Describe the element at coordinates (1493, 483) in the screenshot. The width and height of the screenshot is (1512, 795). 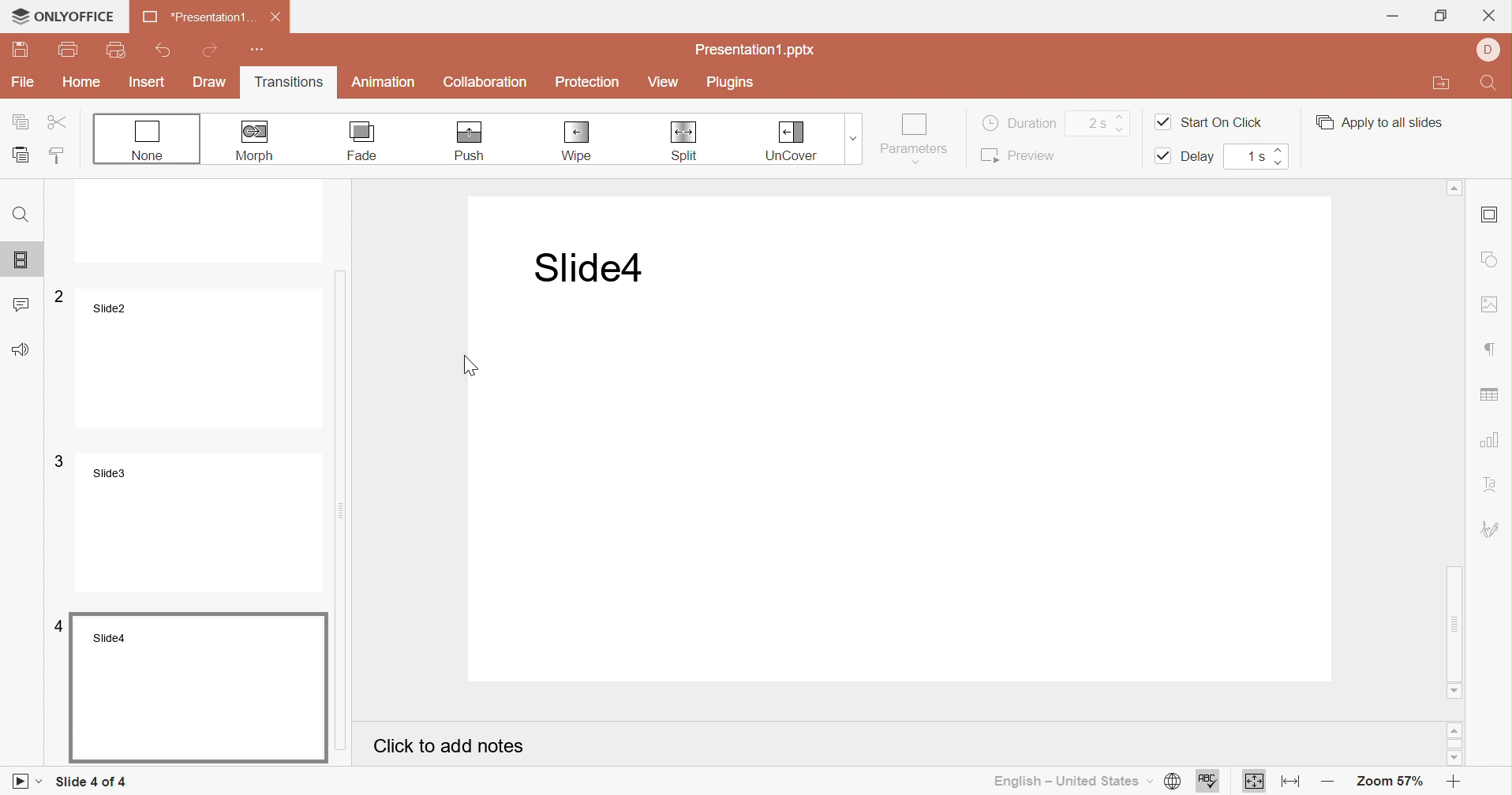
I see `Text align` at that location.